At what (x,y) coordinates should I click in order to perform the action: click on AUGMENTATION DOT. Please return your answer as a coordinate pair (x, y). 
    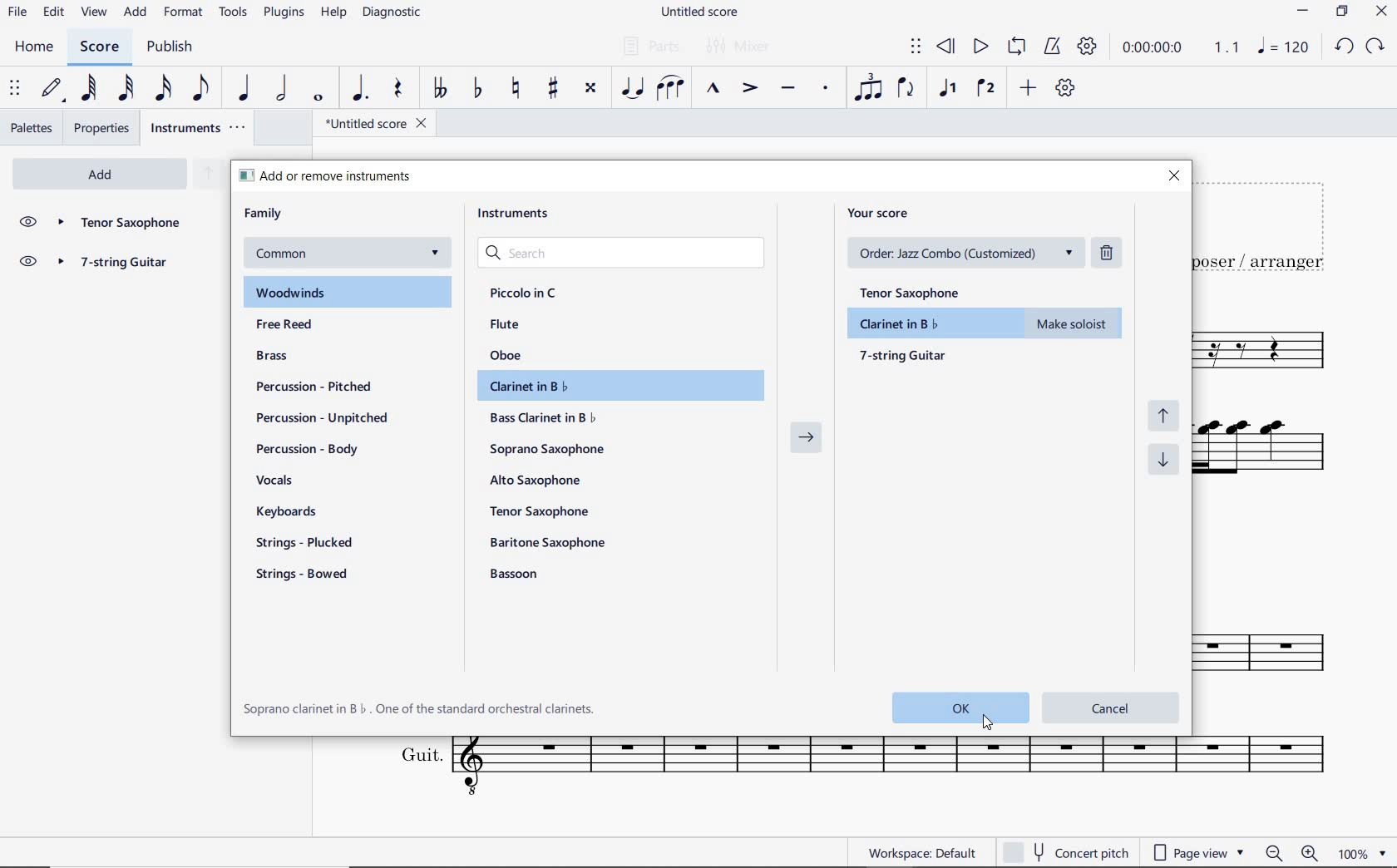
    Looking at the image, I should click on (361, 89).